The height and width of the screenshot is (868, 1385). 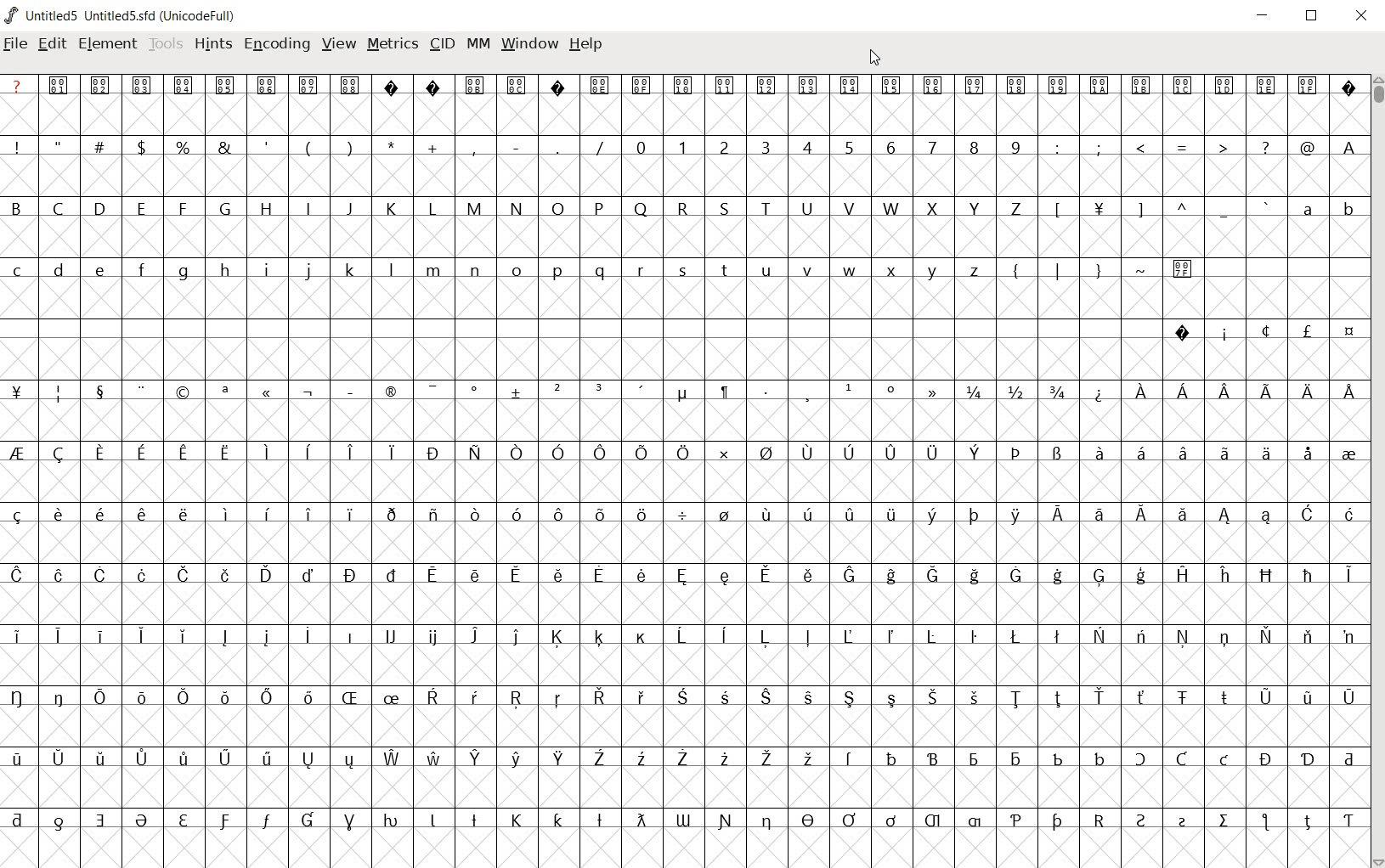 What do you see at coordinates (1347, 208) in the screenshot?
I see `b` at bounding box center [1347, 208].